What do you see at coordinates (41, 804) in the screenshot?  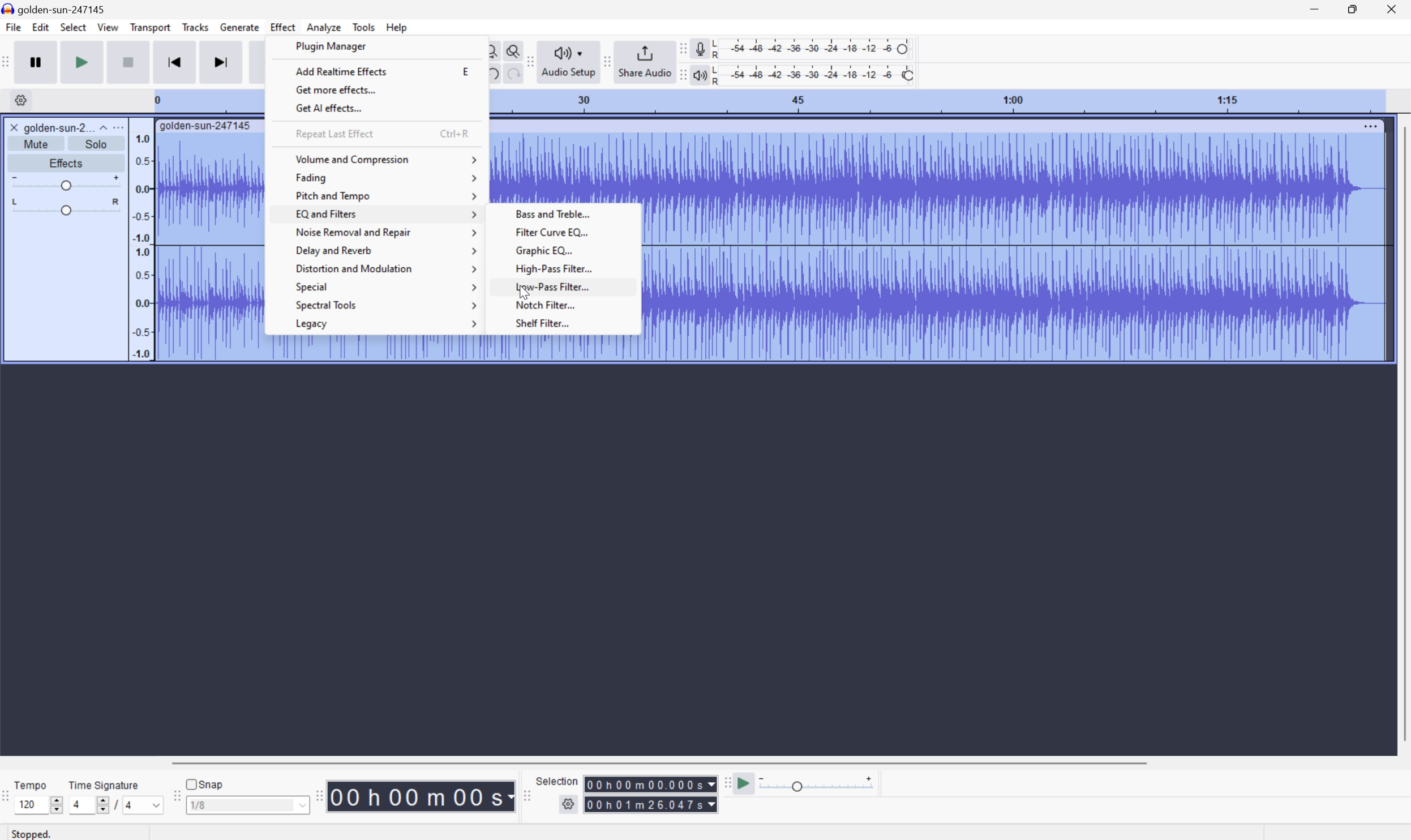 I see `120 slider` at bounding box center [41, 804].